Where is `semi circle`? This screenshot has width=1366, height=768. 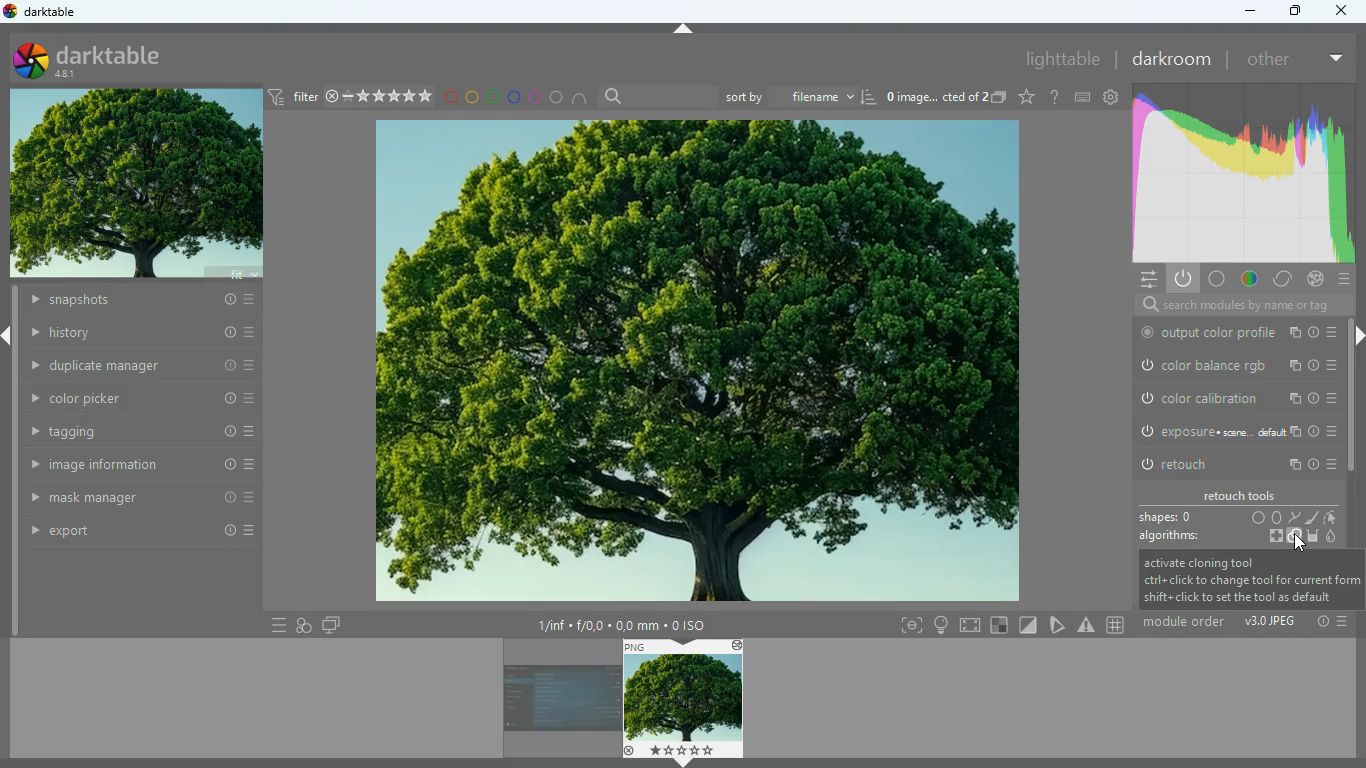
semi circle is located at coordinates (581, 97).